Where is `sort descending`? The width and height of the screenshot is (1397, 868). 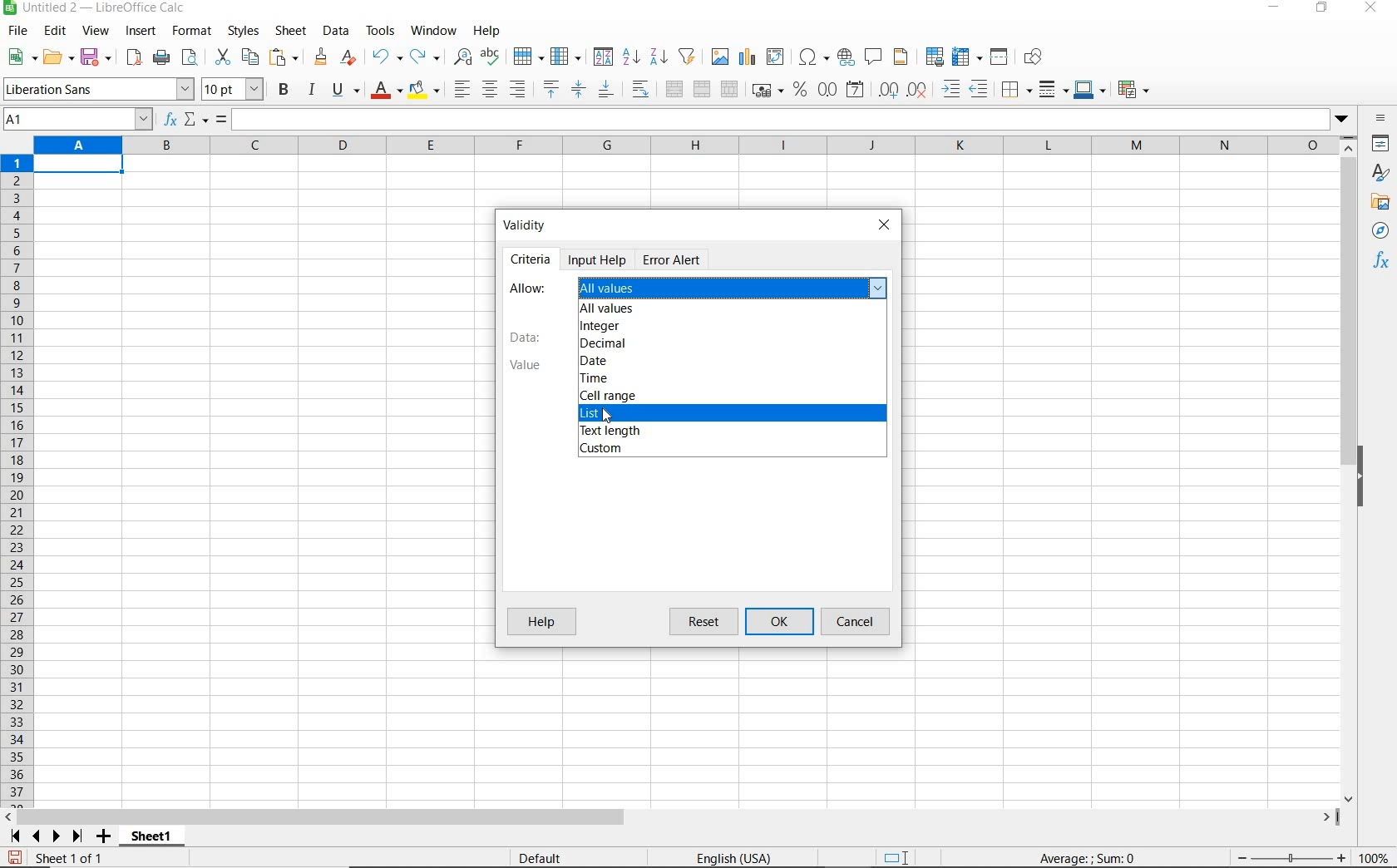
sort descending is located at coordinates (659, 56).